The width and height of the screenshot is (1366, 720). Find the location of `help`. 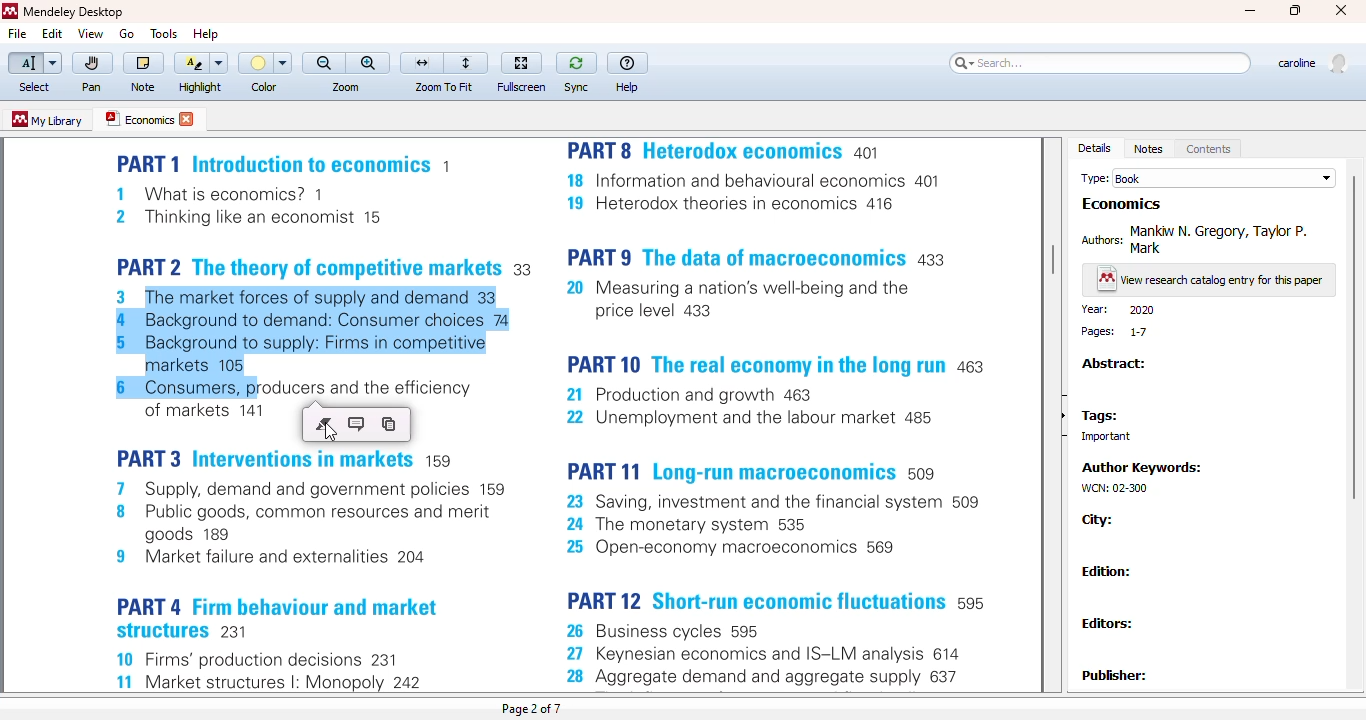

help is located at coordinates (627, 63).